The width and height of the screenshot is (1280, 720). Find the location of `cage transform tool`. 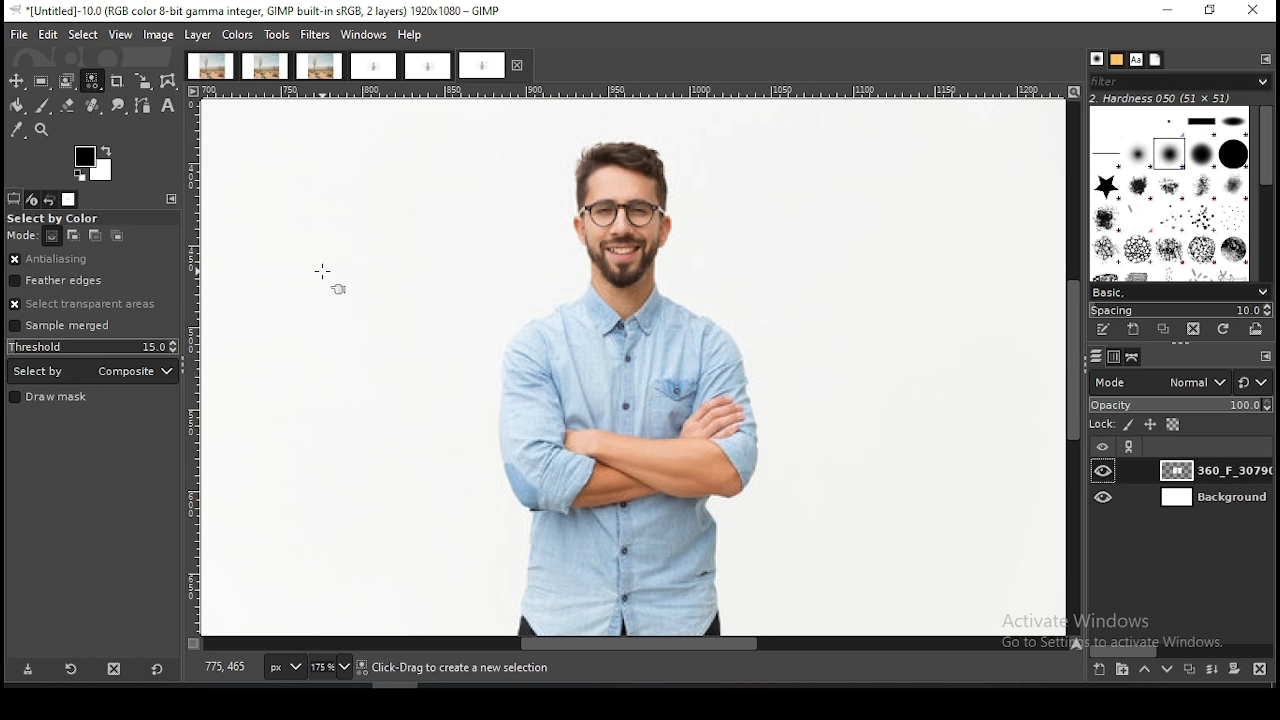

cage transform tool is located at coordinates (170, 81).